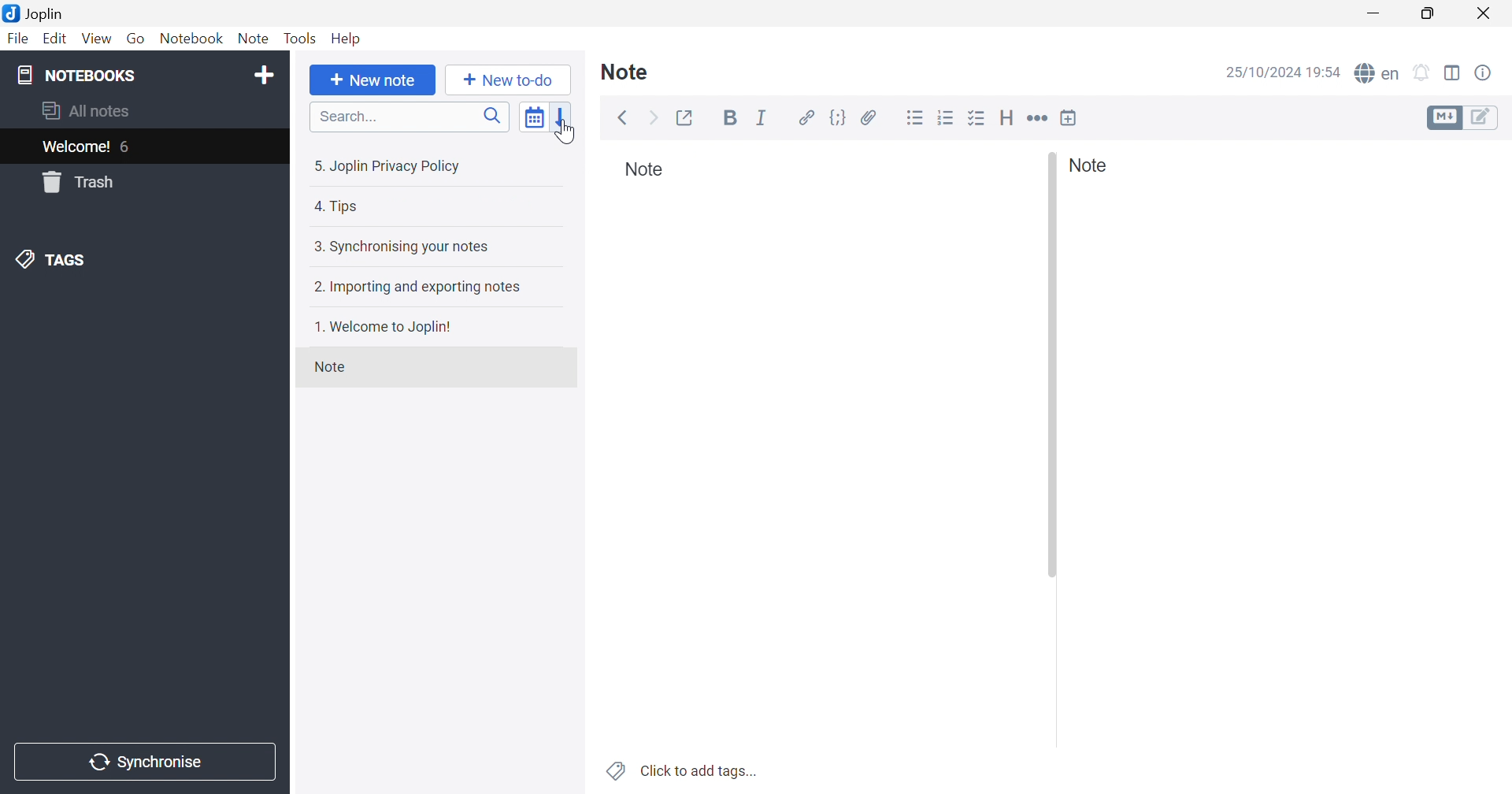  Describe the element at coordinates (979, 120) in the screenshot. I see `bullets` at that location.